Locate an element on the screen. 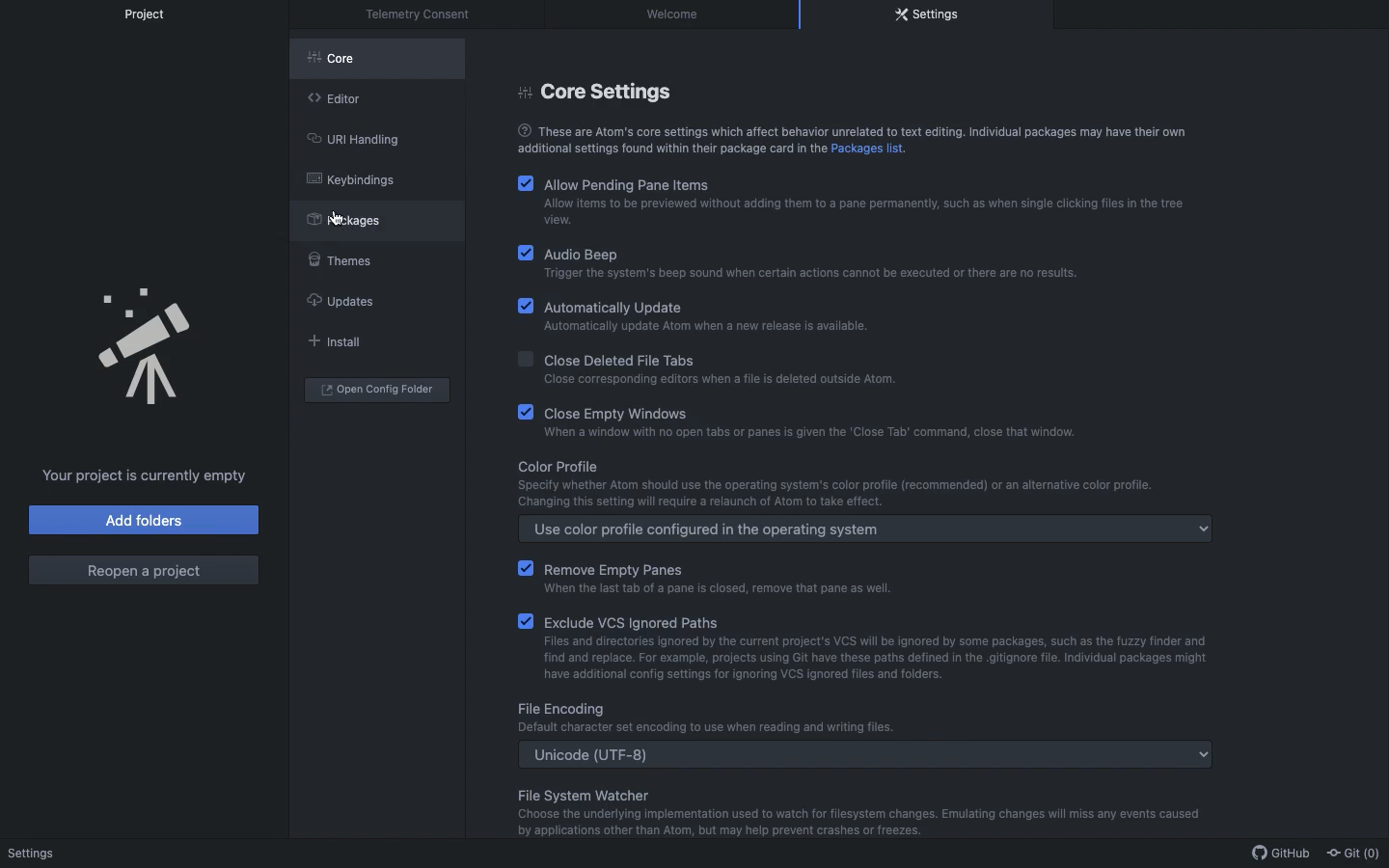 This screenshot has height=868, width=1389. Keybindings is located at coordinates (351, 179).